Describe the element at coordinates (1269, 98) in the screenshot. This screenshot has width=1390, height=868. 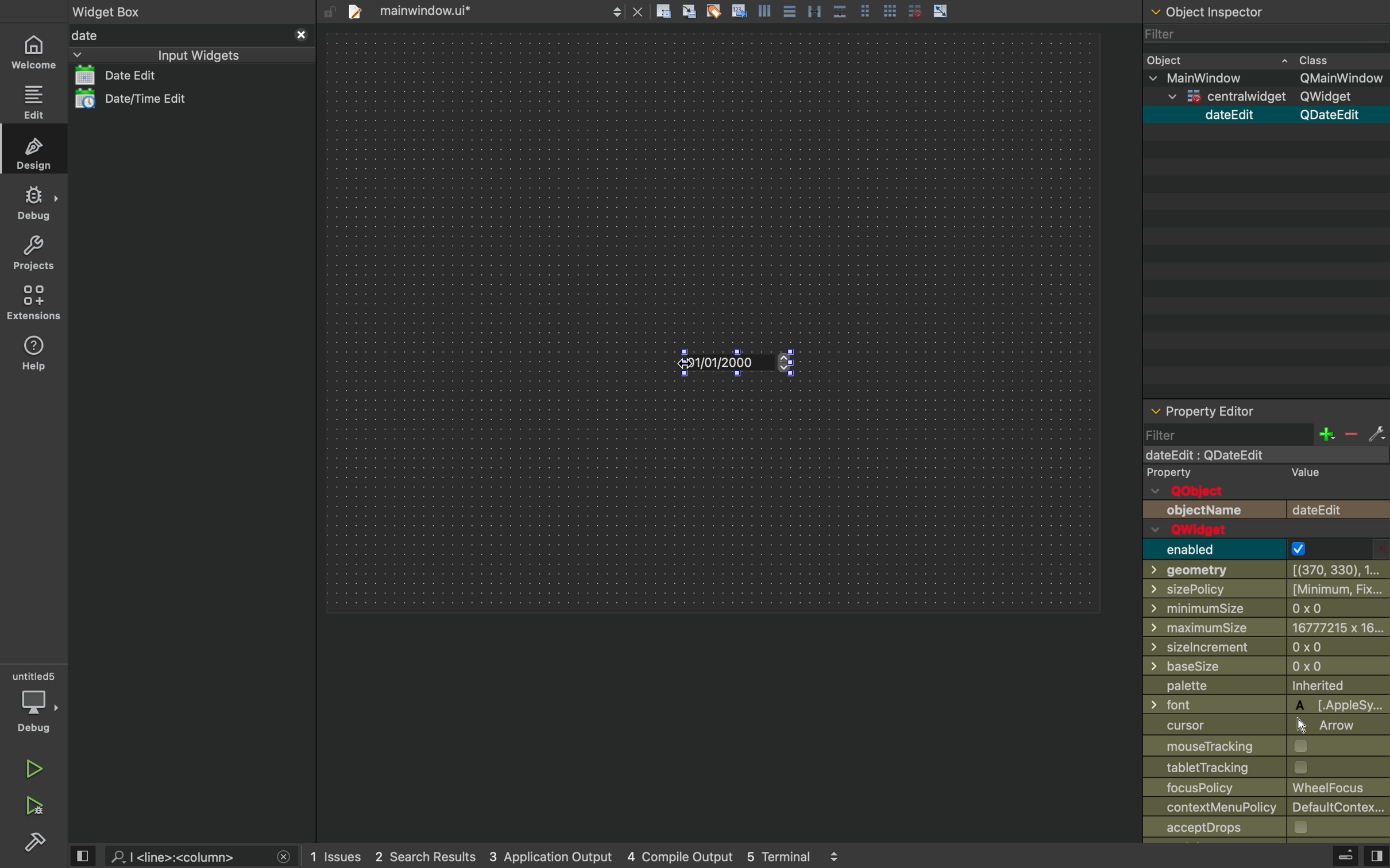
I see `centrawidget` at that location.